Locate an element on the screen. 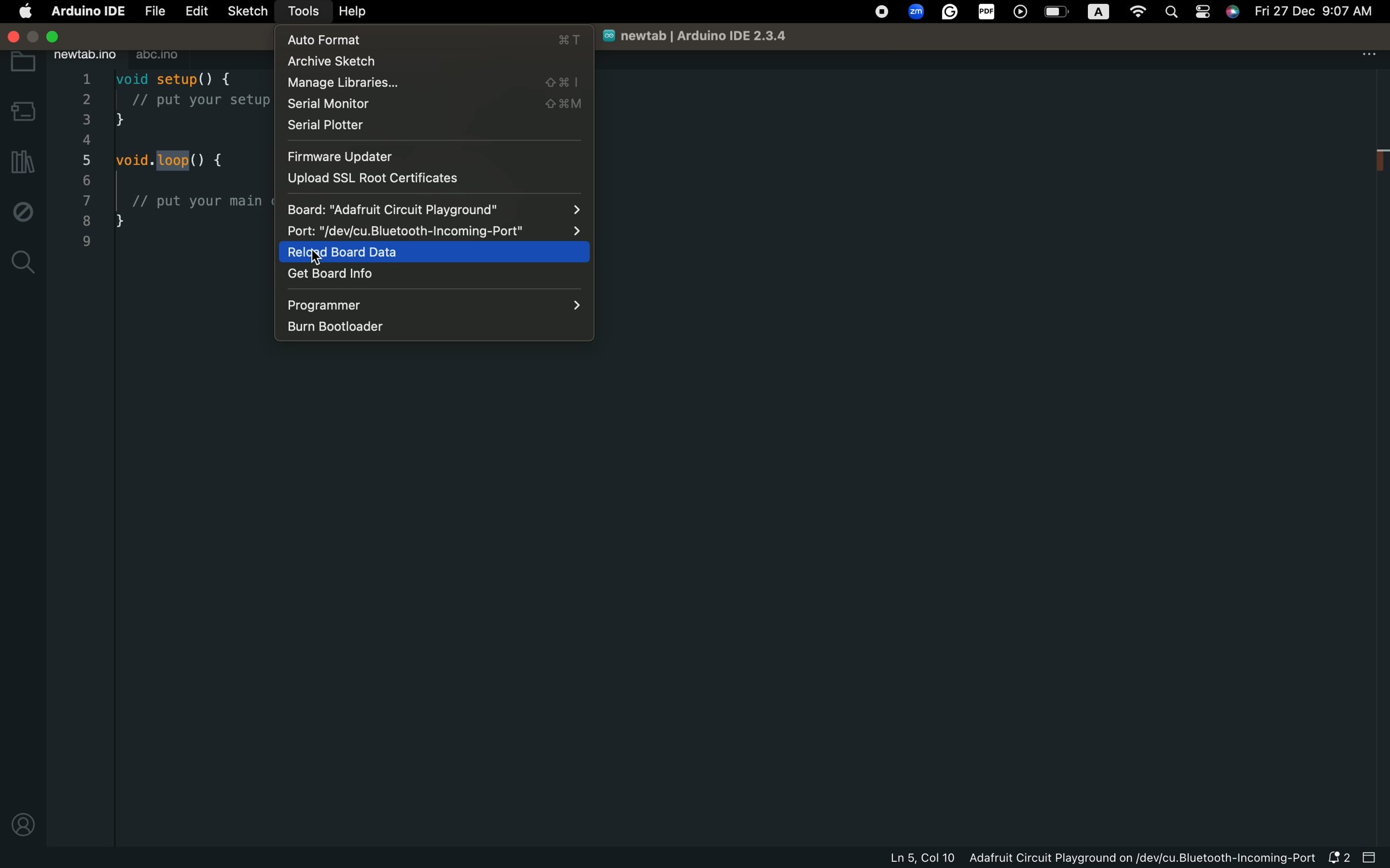 The height and width of the screenshot is (868, 1390). close is located at coordinates (14, 37).